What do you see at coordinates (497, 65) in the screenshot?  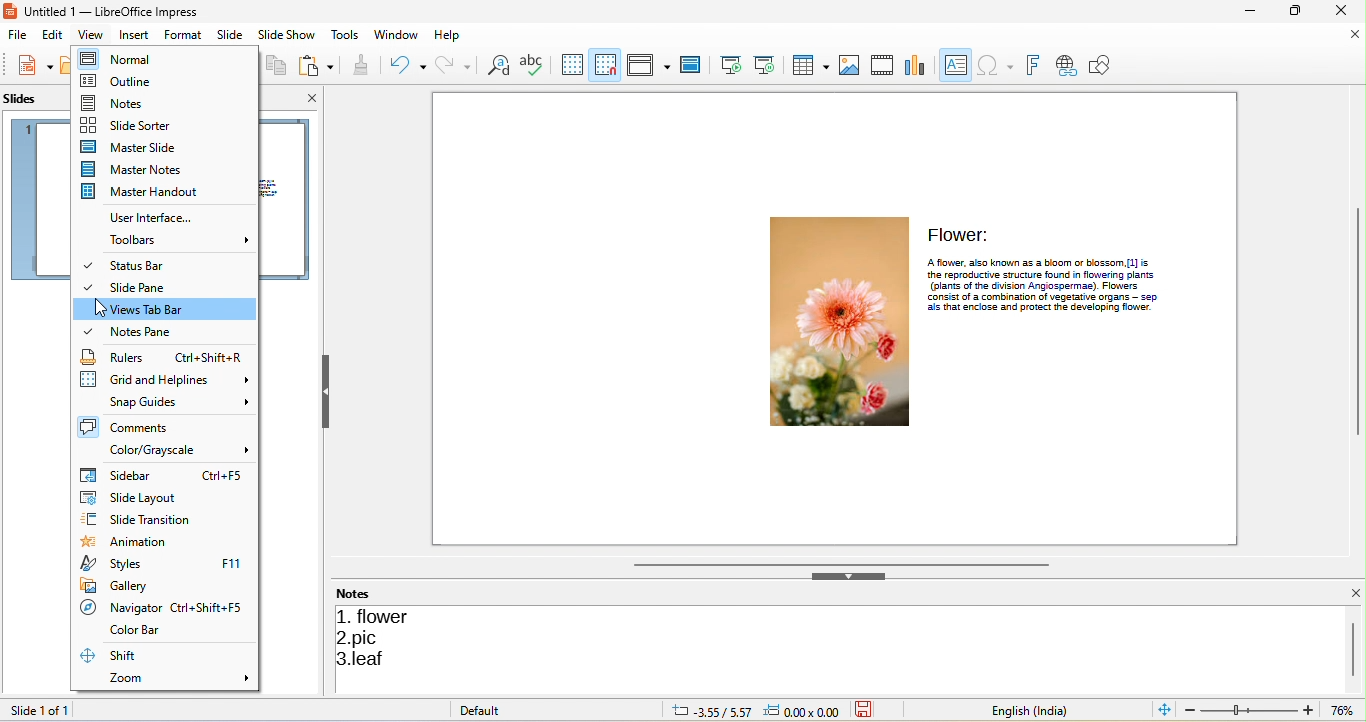 I see `find and replace` at bounding box center [497, 65].